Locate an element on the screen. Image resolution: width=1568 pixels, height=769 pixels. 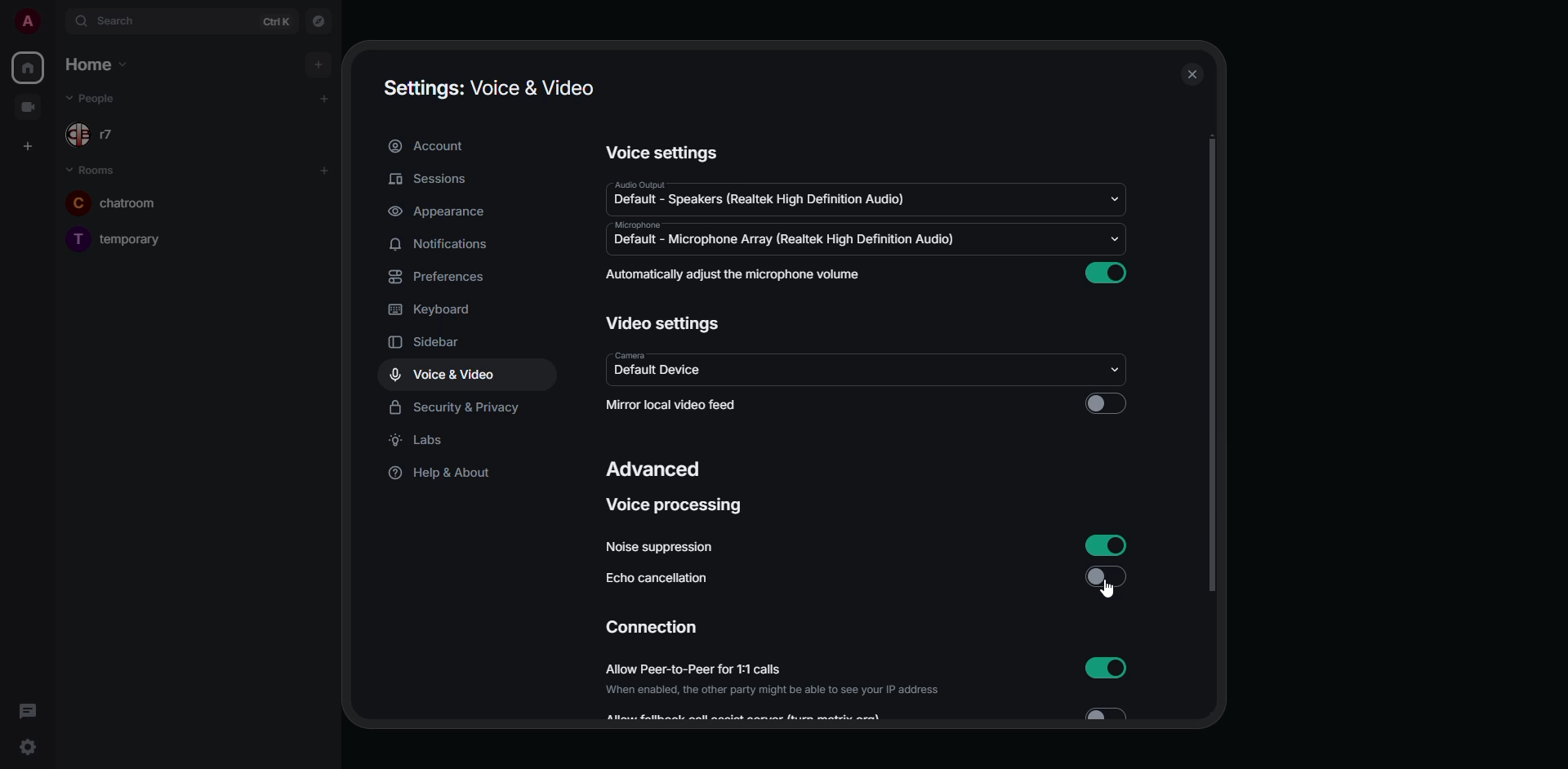
default is located at coordinates (760, 200).